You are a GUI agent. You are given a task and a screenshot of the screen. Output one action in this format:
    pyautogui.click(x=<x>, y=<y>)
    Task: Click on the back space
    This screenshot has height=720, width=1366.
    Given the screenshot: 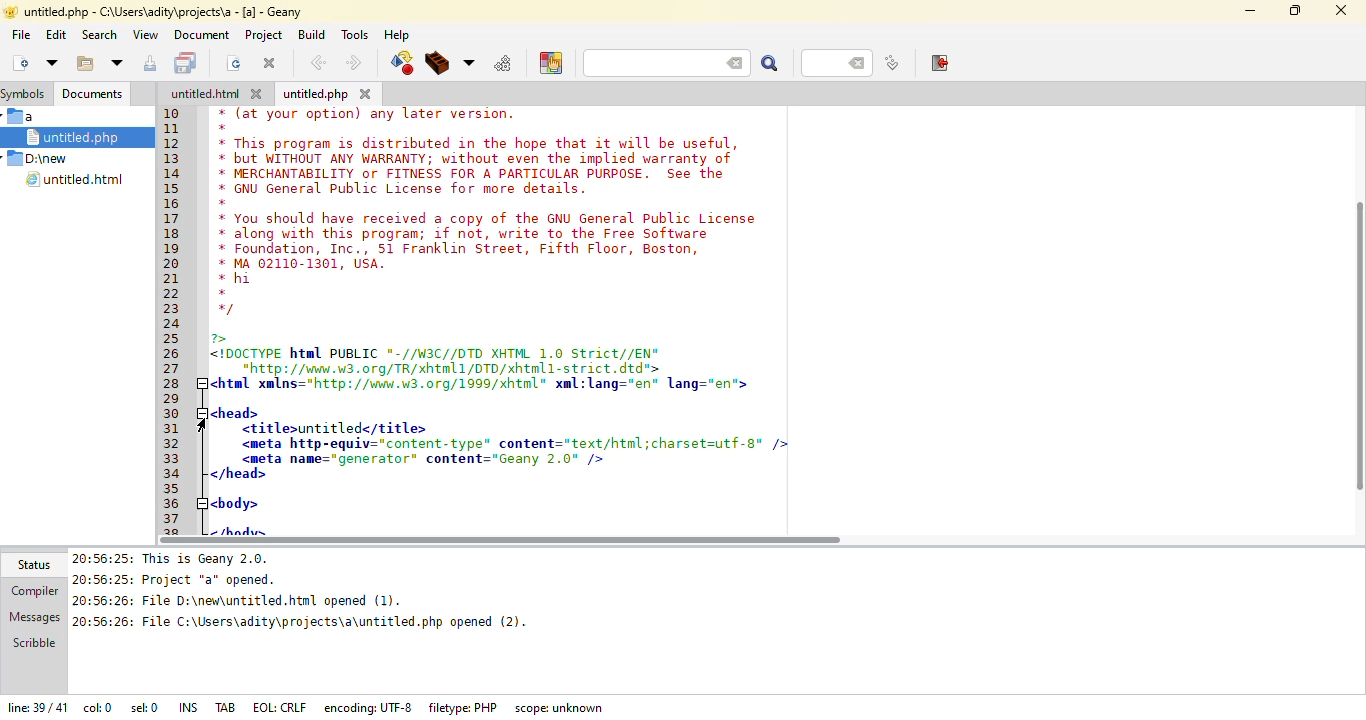 What is the action you would take?
    pyautogui.click(x=735, y=61)
    